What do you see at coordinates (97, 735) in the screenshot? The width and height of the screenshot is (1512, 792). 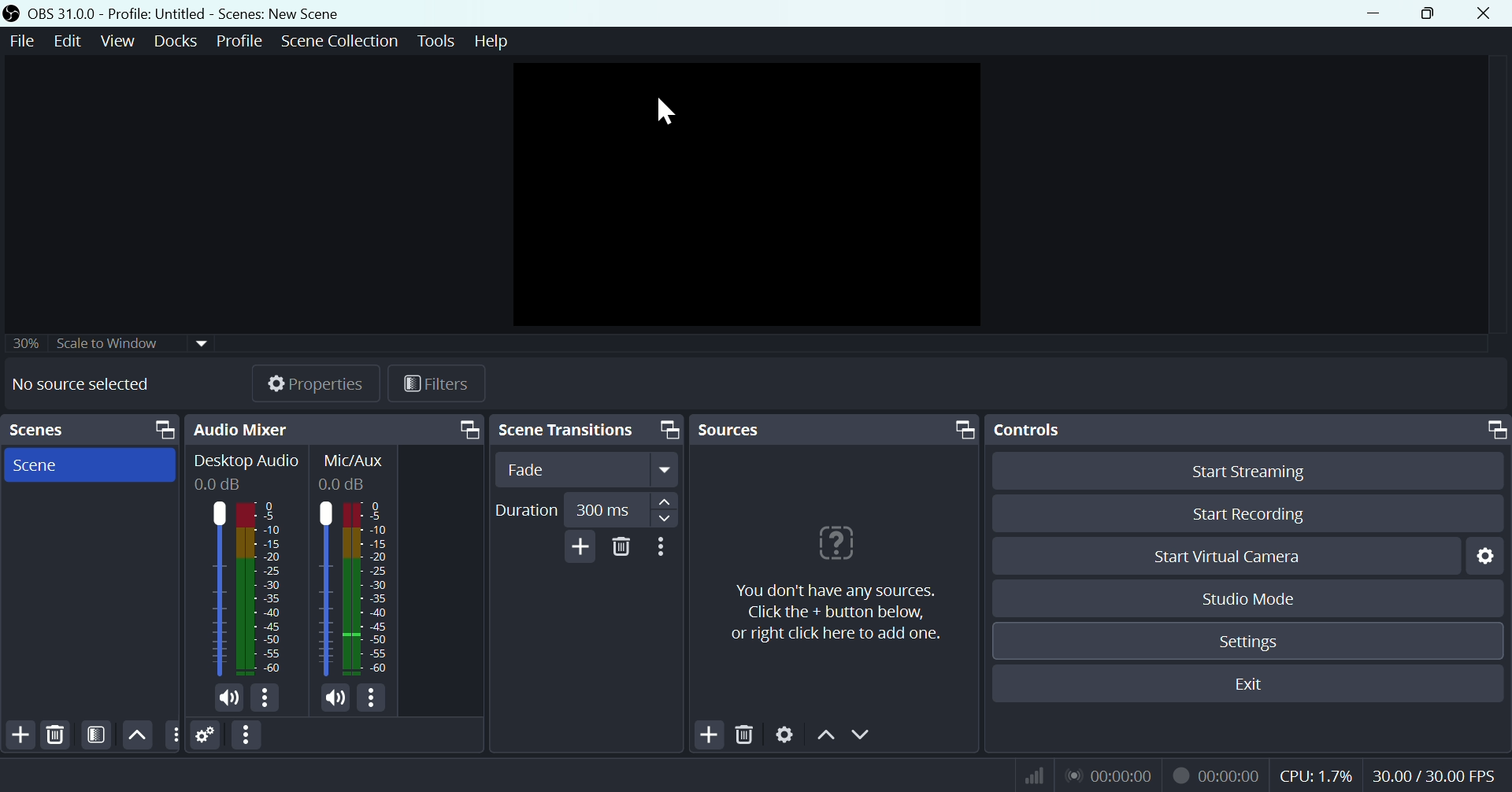 I see `Filter` at bounding box center [97, 735].